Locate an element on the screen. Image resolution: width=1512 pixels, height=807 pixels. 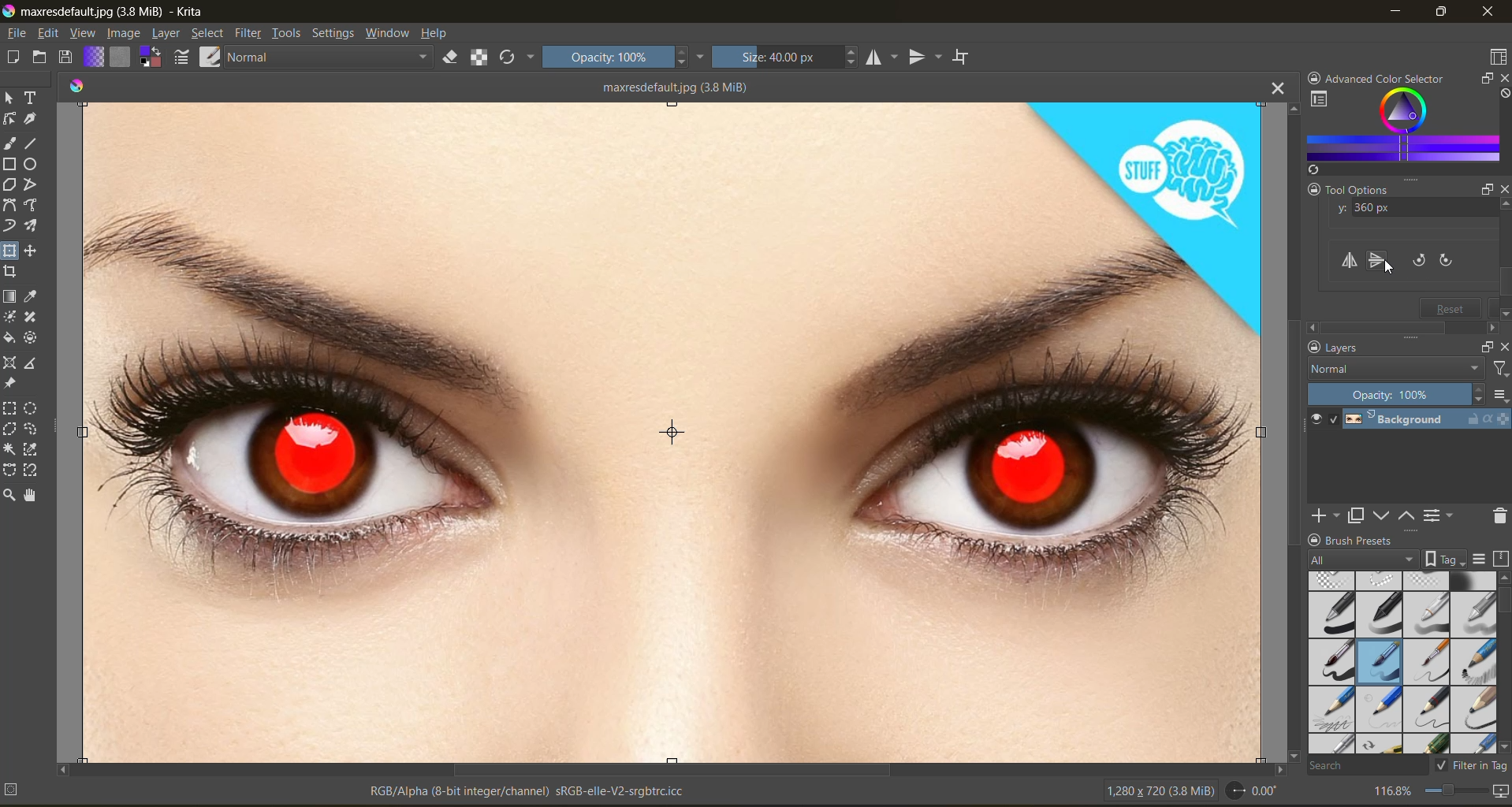
tag is located at coordinates (1360, 561).